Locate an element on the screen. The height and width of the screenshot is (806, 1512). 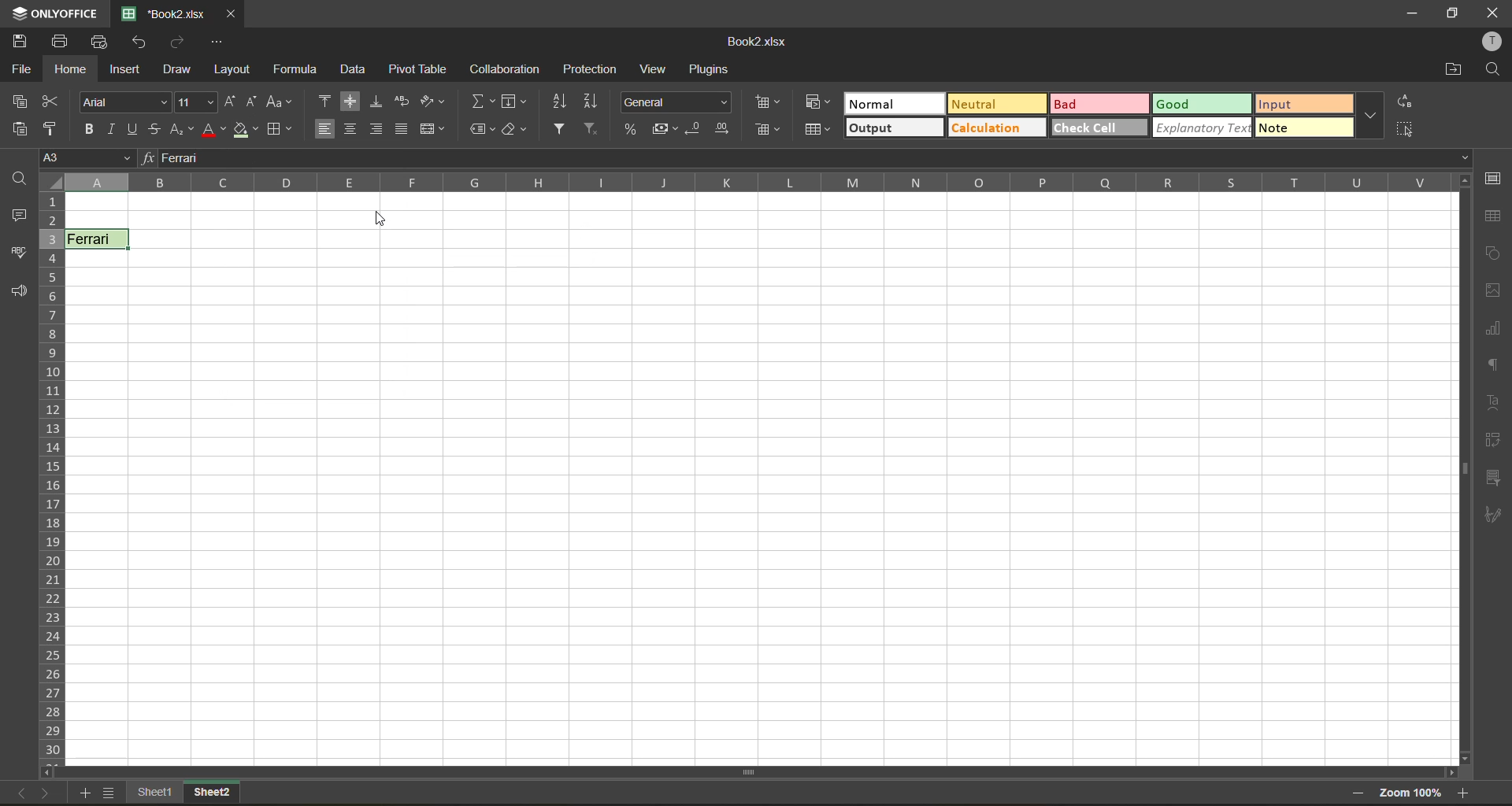
Ferrari is located at coordinates (98, 238).